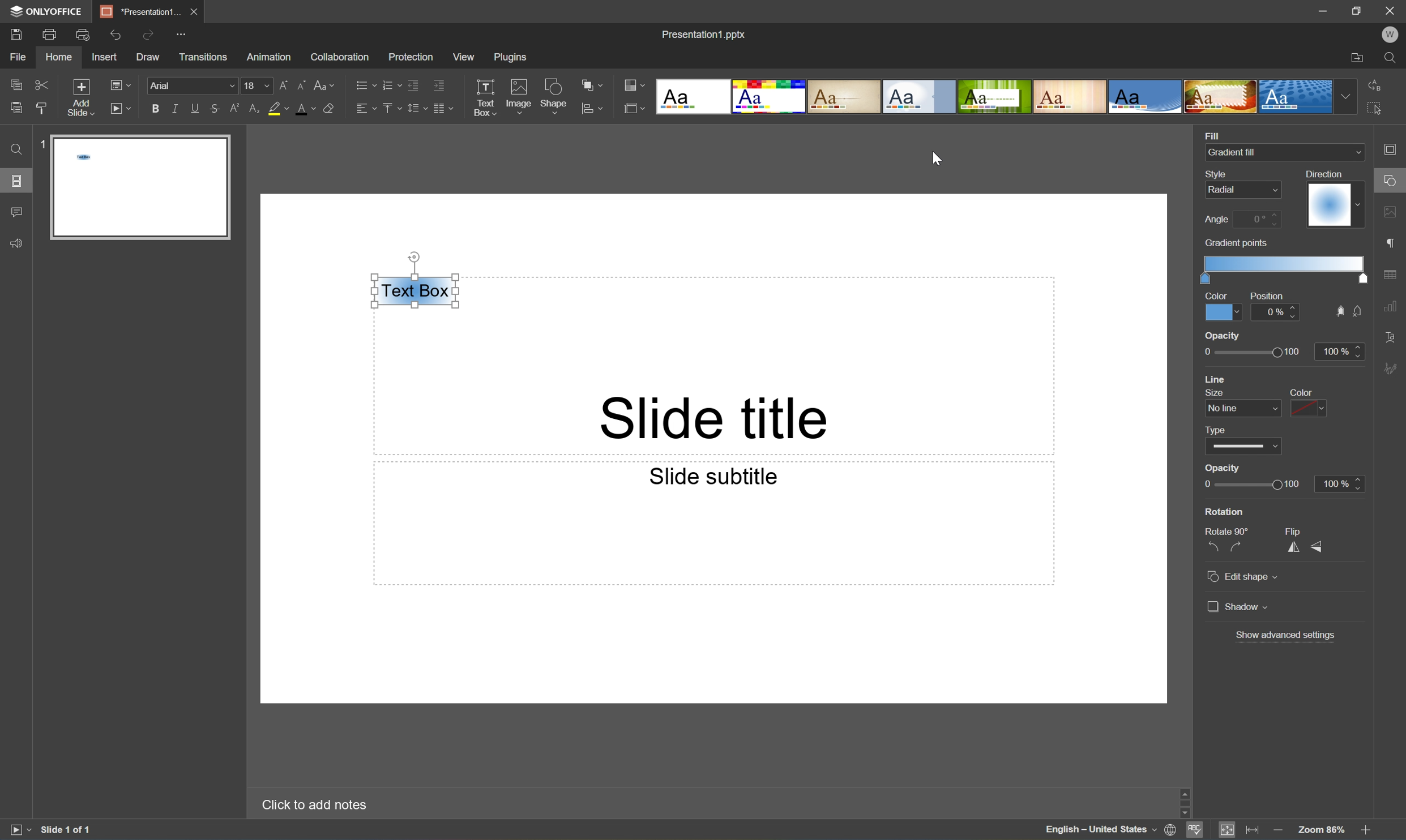 The width and height of the screenshot is (1406, 840). I want to click on Home, so click(60, 57).